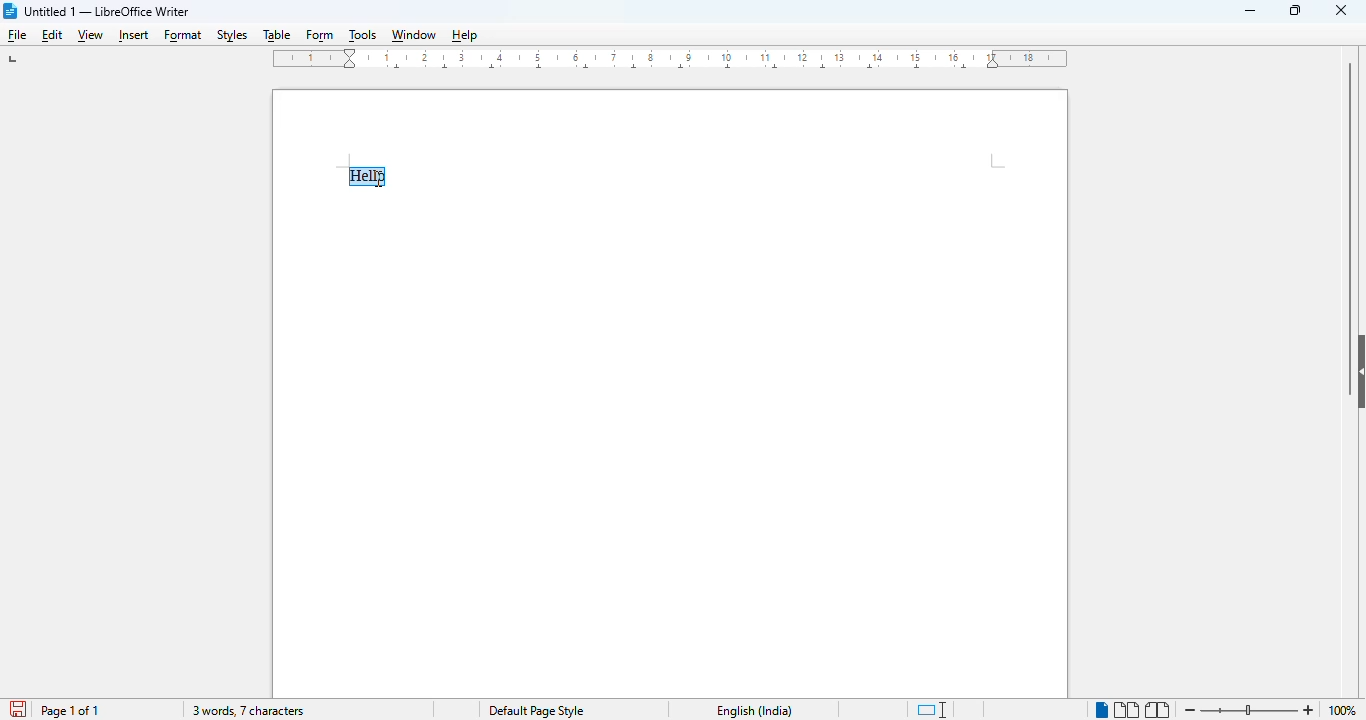 The height and width of the screenshot is (720, 1366). I want to click on multi-page view, so click(1127, 710).